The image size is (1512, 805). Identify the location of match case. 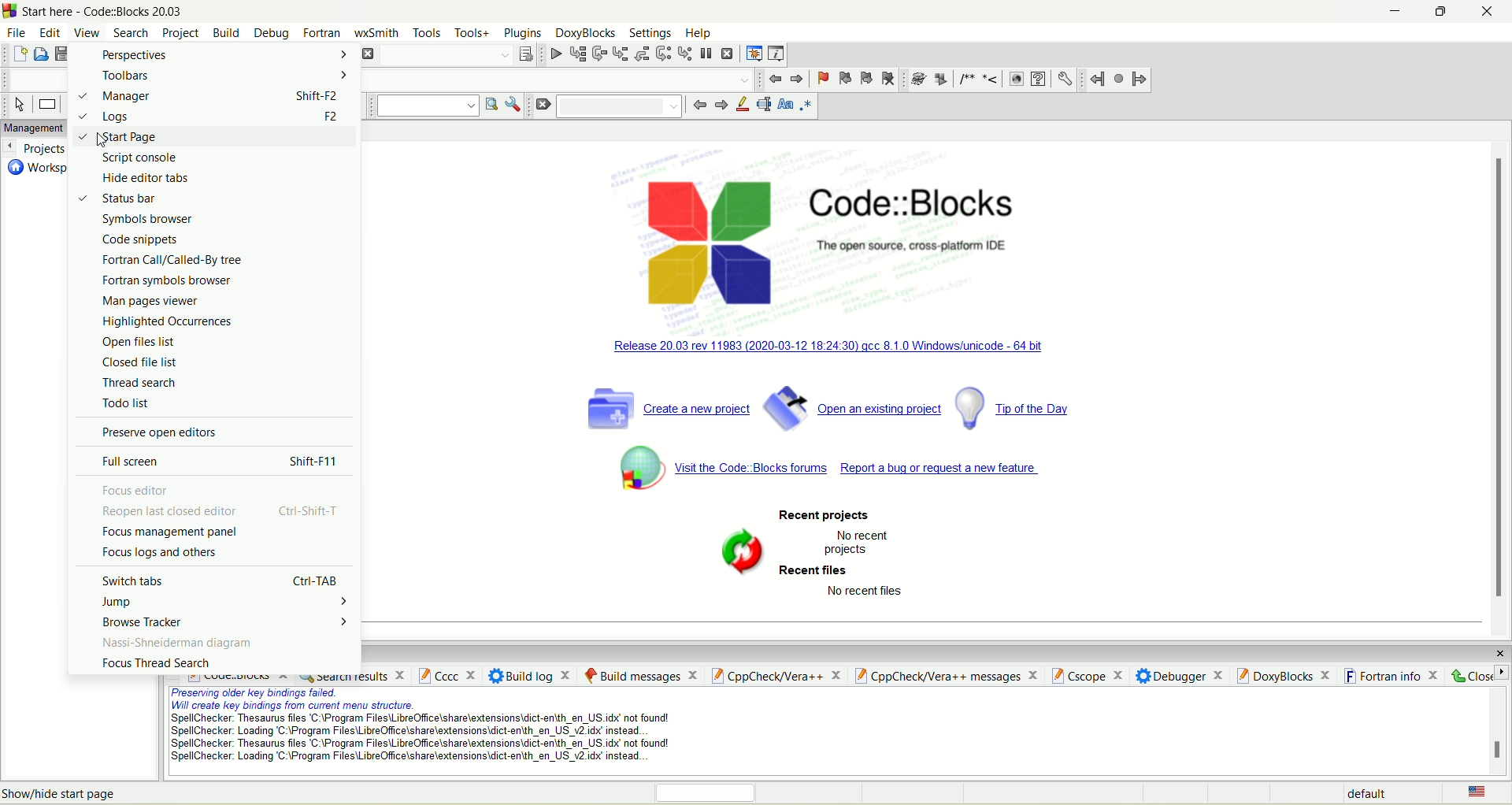
(786, 106).